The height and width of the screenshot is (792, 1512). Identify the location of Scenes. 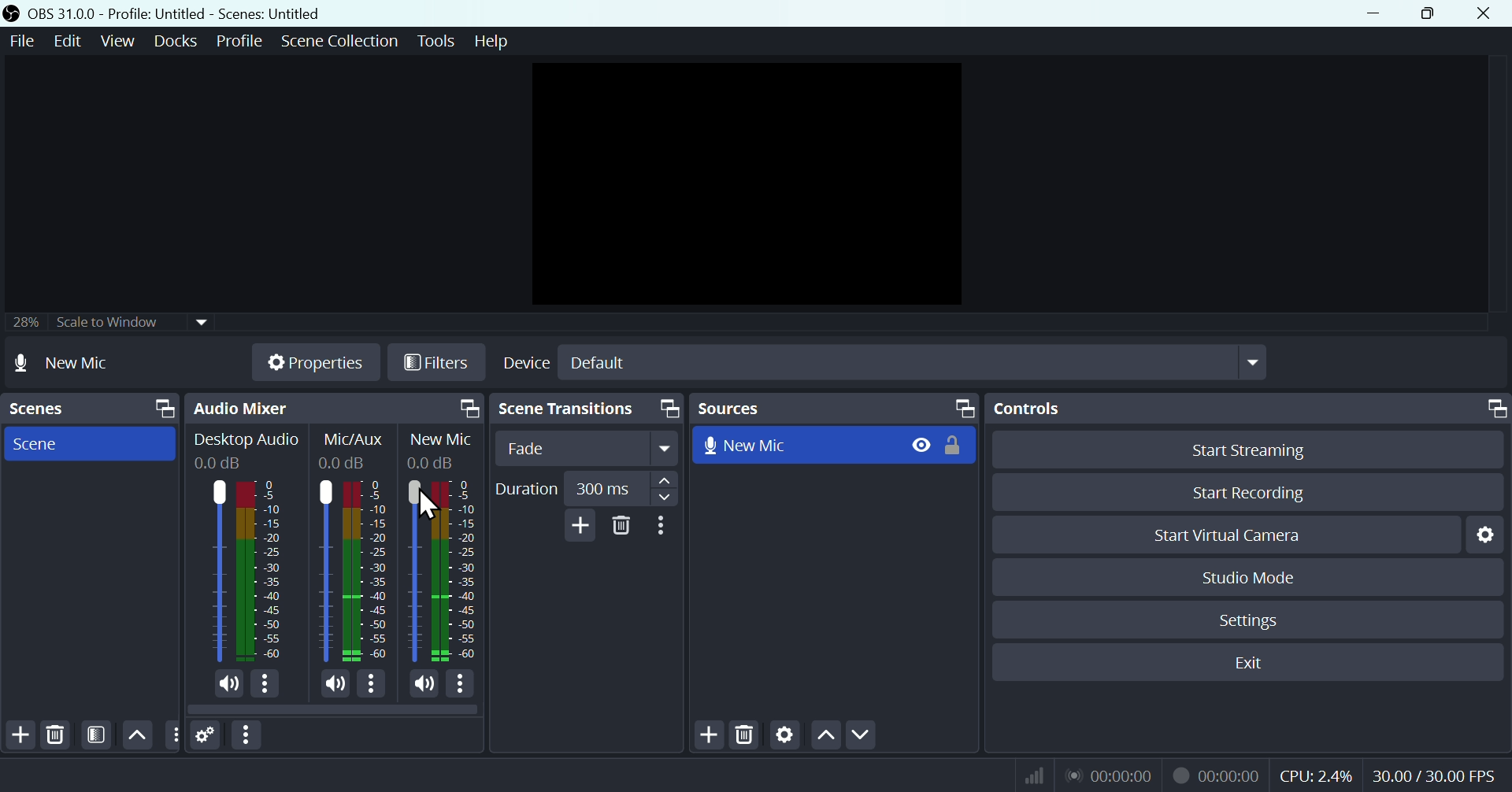
(89, 409).